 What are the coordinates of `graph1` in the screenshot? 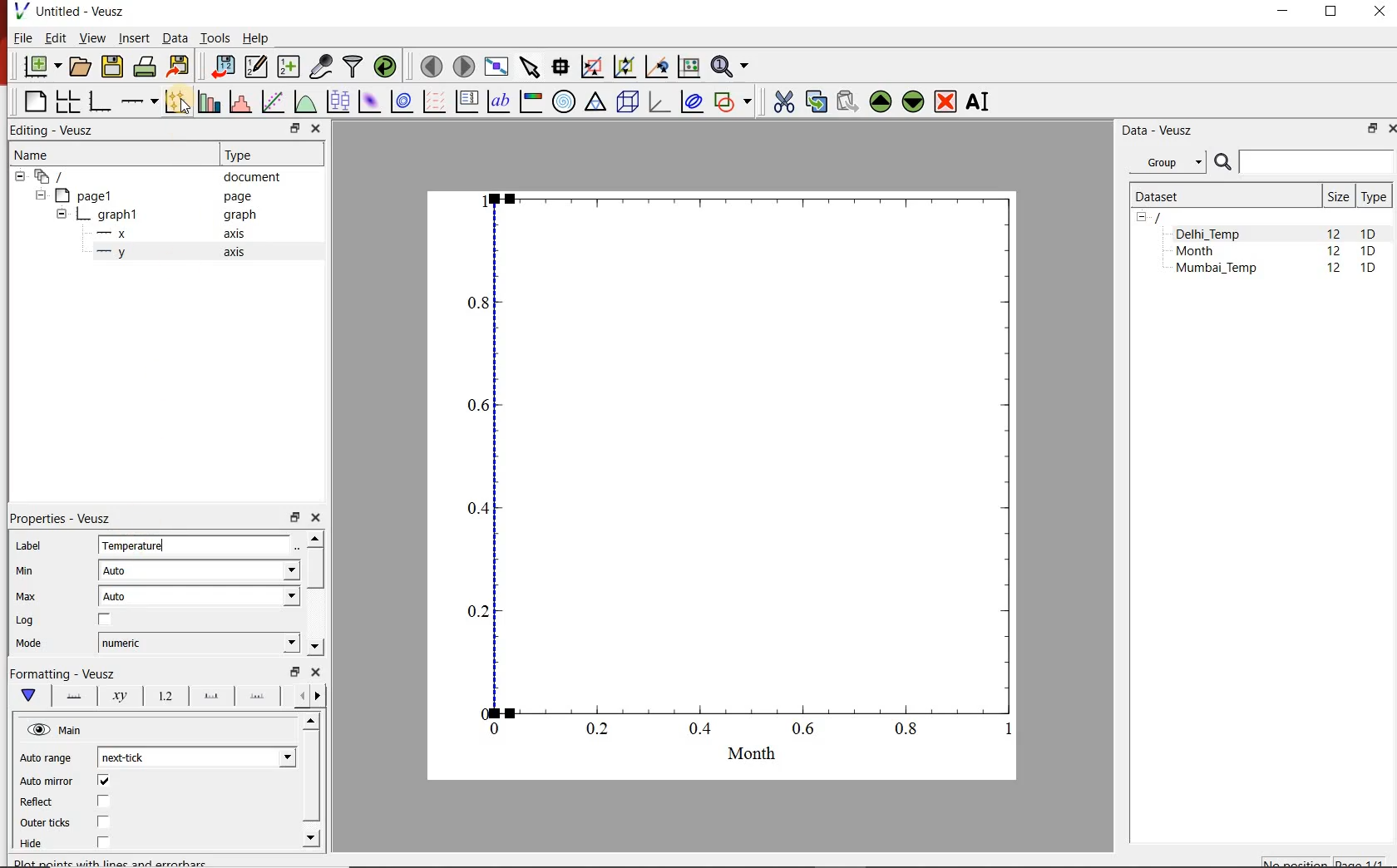 It's located at (741, 474).